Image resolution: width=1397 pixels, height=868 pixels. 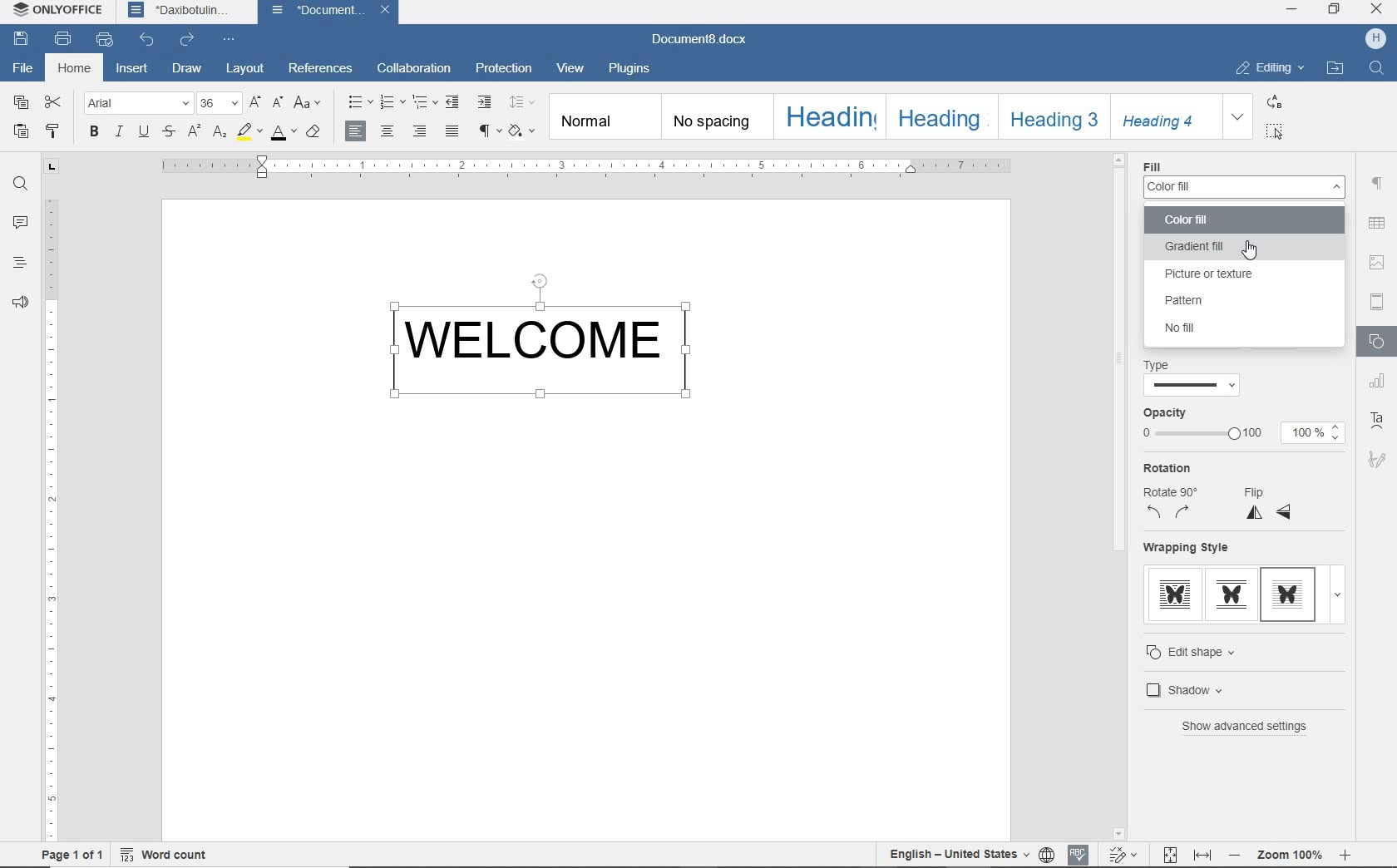 What do you see at coordinates (1207, 652) in the screenshot?
I see `edit shape` at bounding box center [1207, 652].